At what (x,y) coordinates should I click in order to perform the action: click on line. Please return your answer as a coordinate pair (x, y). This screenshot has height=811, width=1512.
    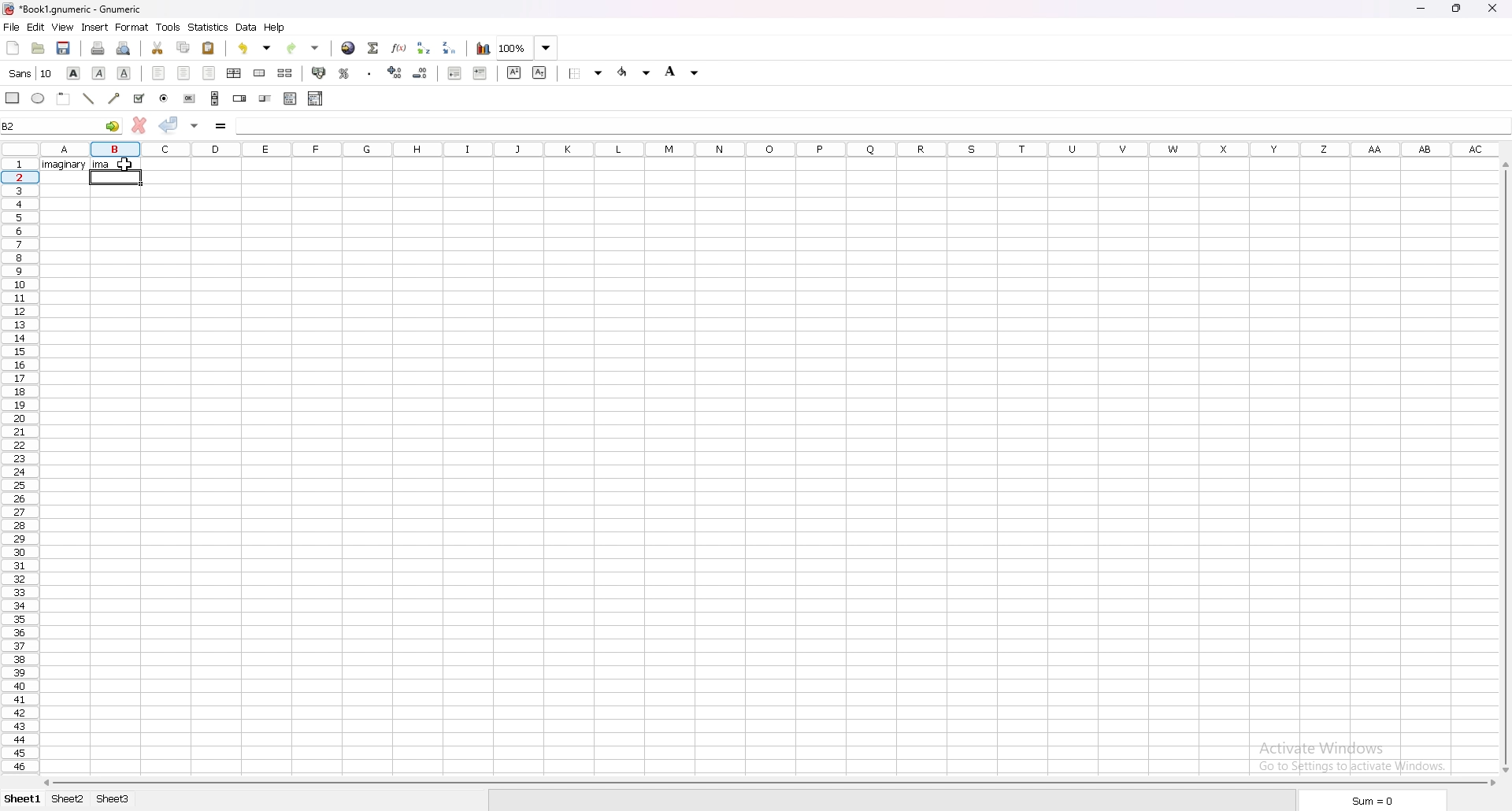
    Looking at the image, I should click on (102, 102).